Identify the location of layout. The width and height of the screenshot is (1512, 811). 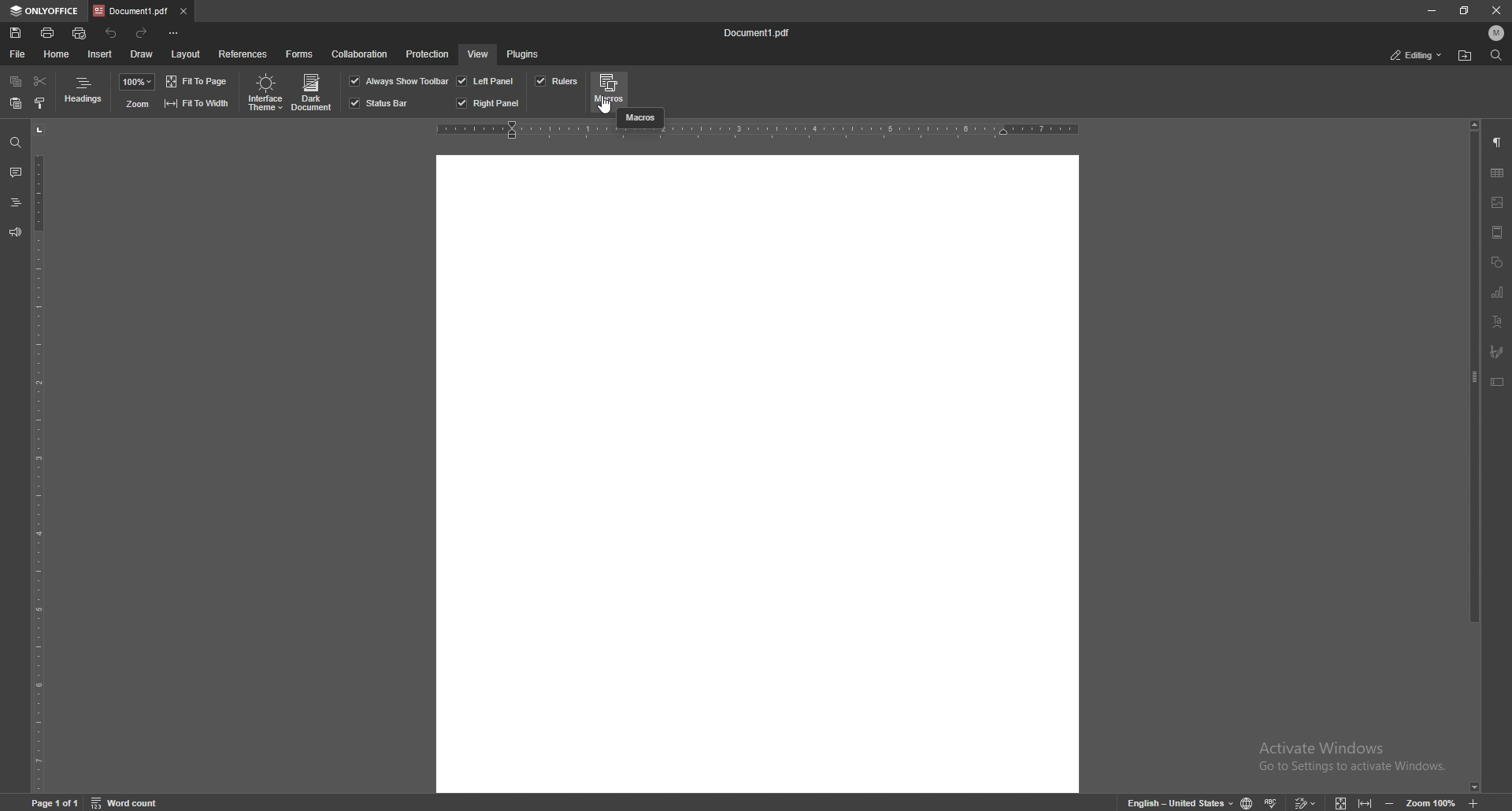
(185, 54).